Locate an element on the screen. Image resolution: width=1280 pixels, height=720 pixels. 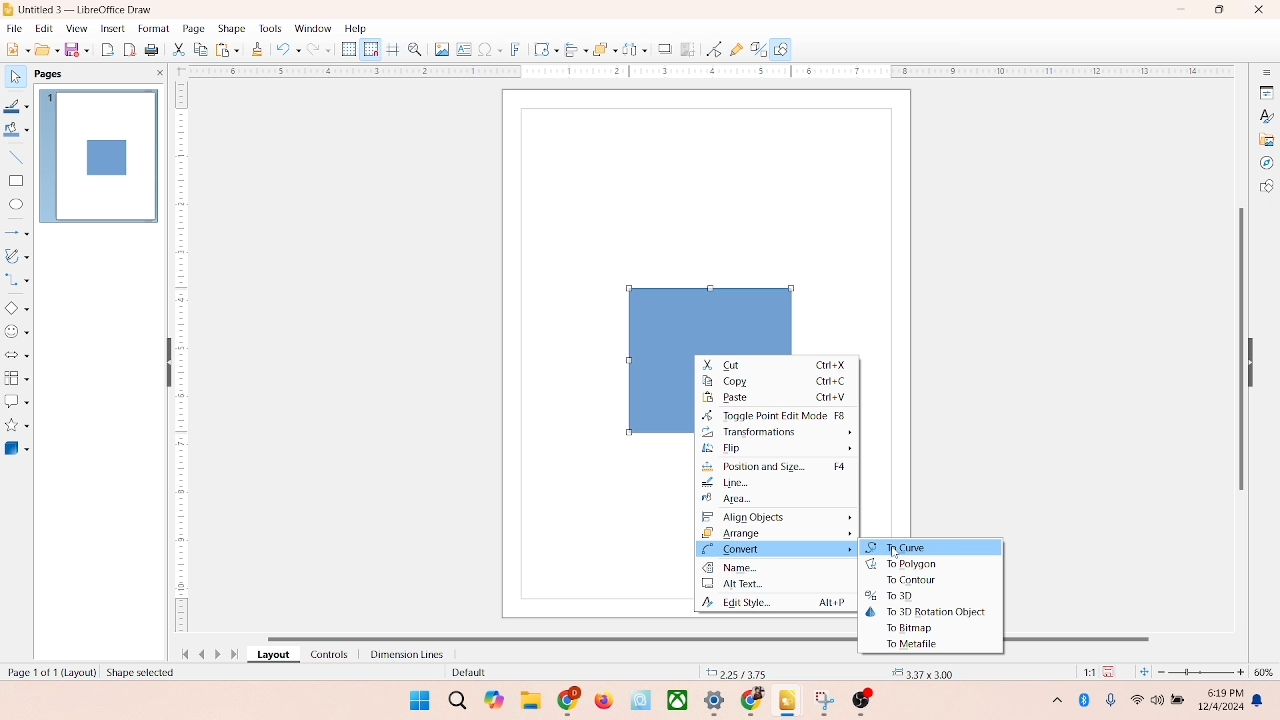
zoom factor is located at coordinates (1202, 672).